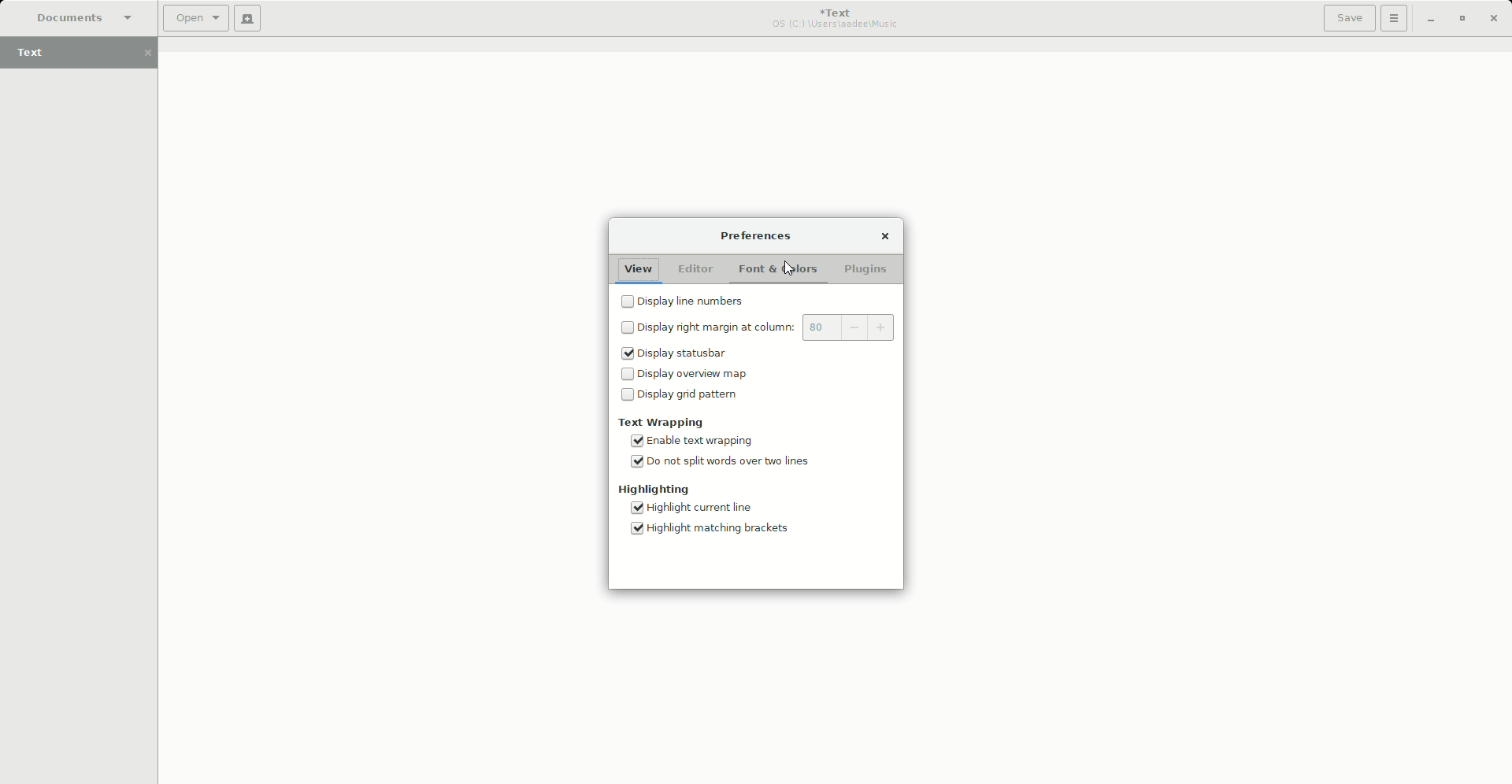  Describe the element at coordinates (702, 326) in the screenshot. I see `Display right margin` at that location.